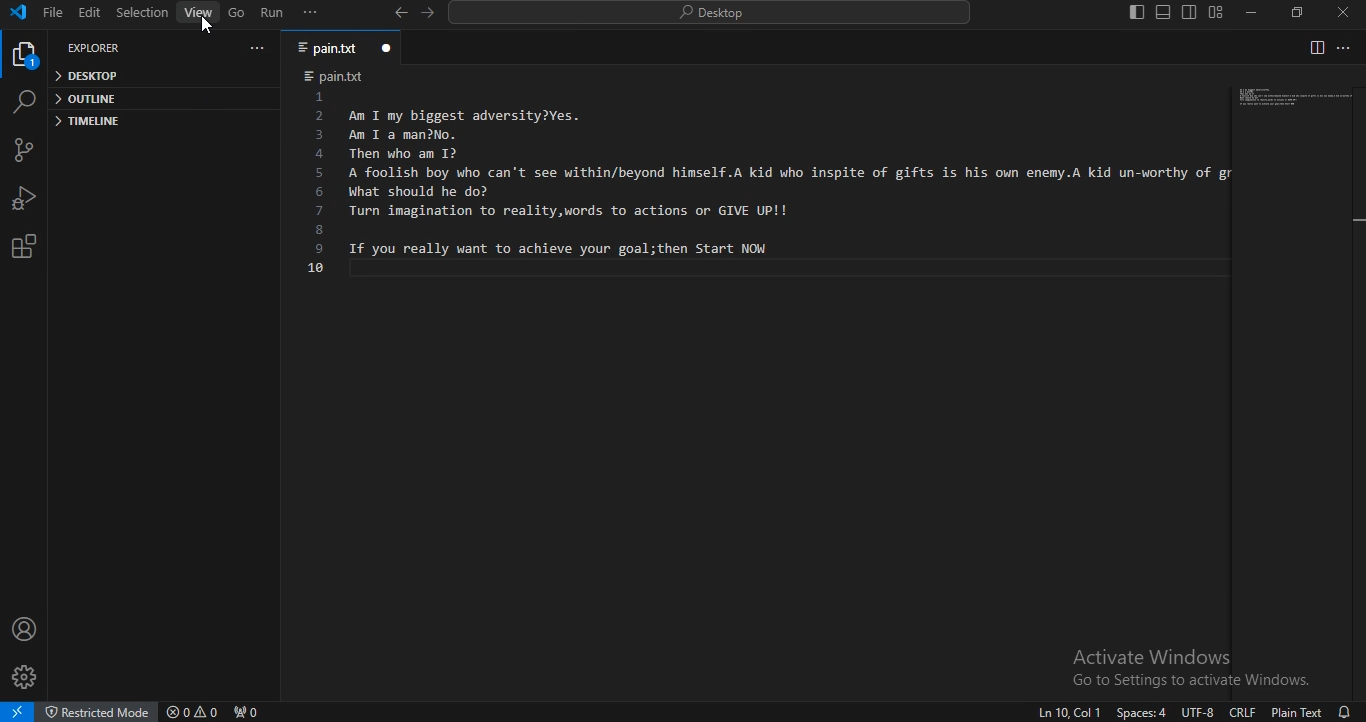 The height and width of the screenshot is (722, 1366). I want to click on close, so click(1341, 12).